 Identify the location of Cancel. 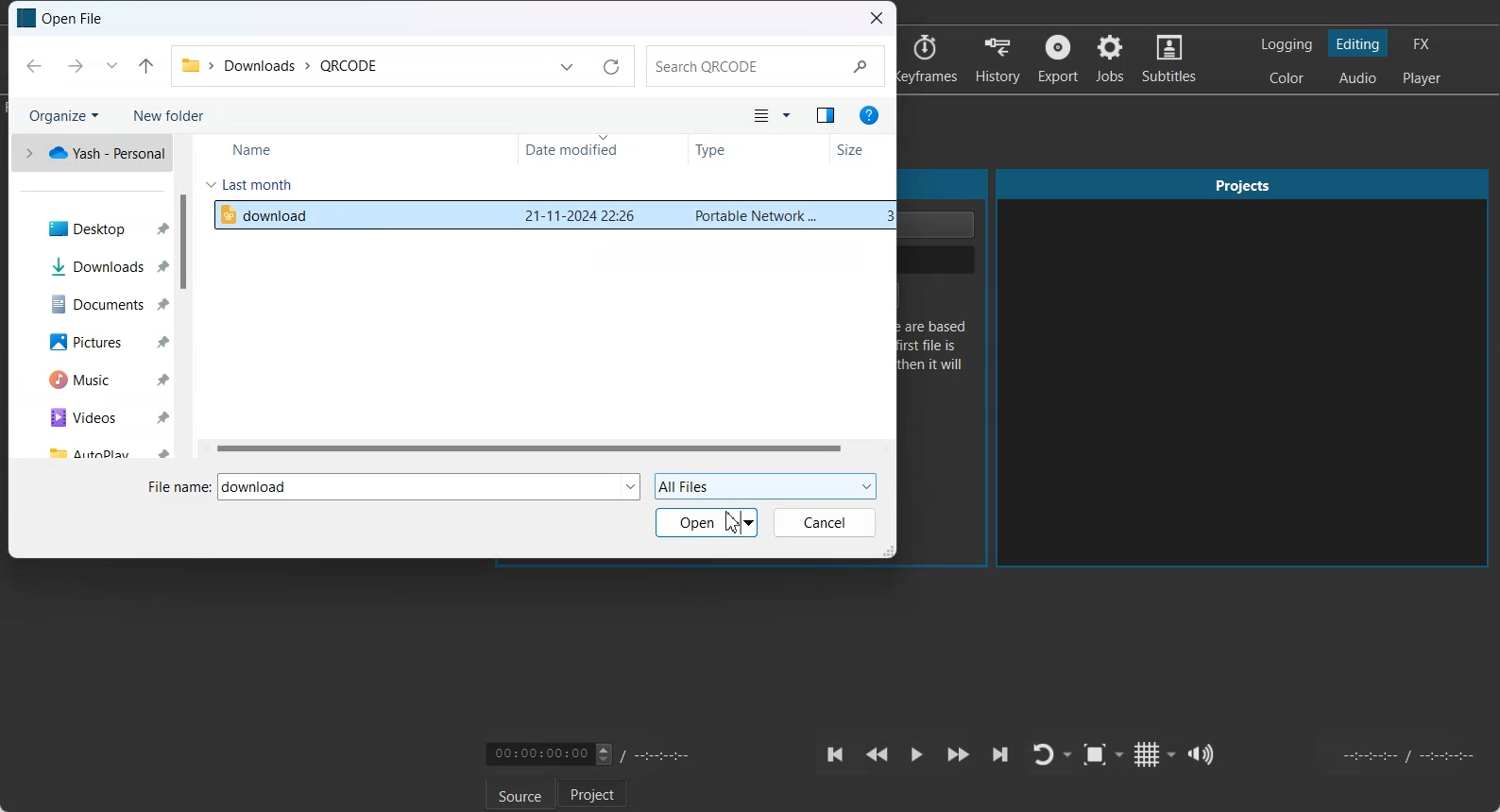
(827, 522).